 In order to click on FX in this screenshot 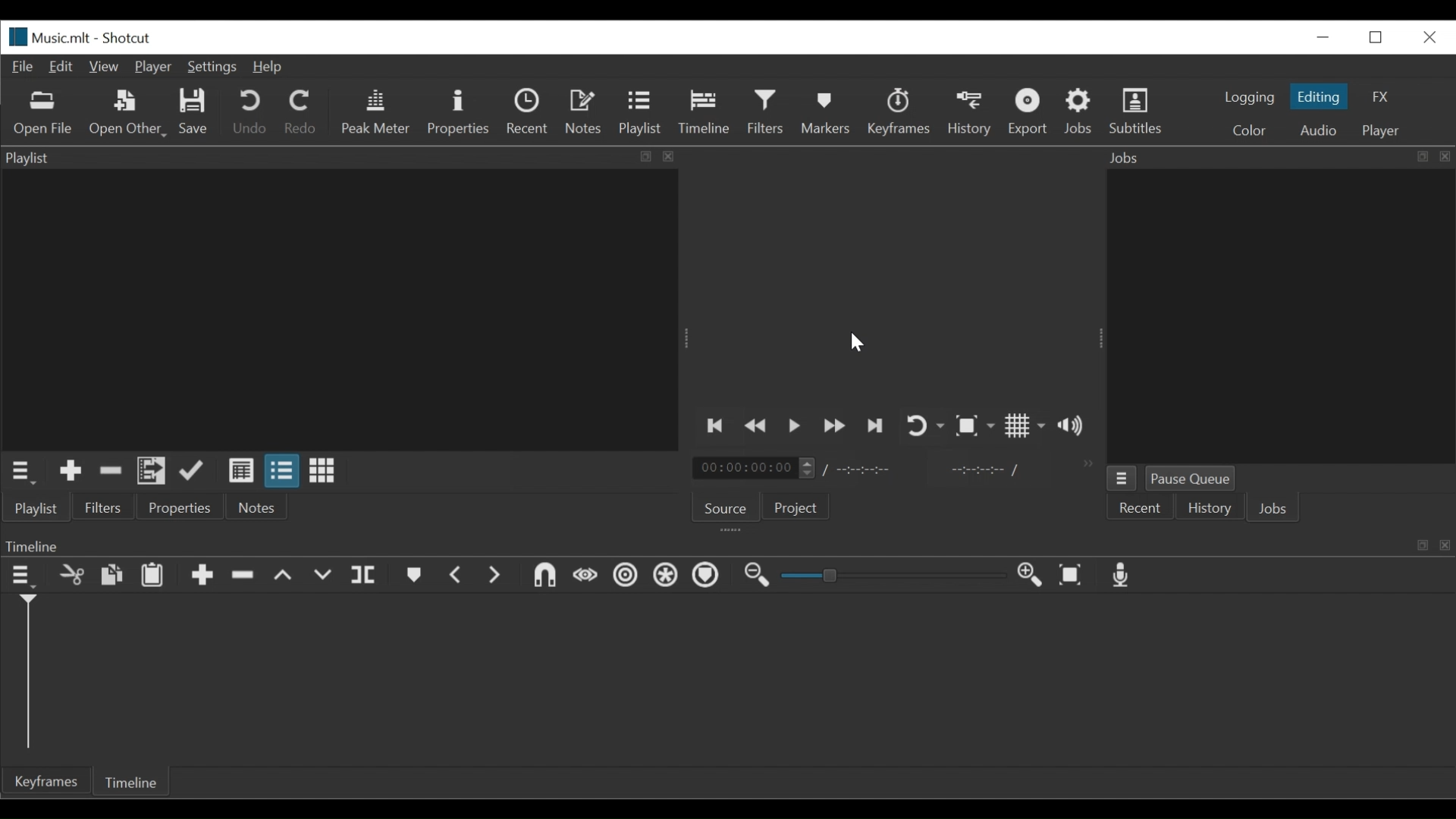, I will do `click(1378, 96)`.